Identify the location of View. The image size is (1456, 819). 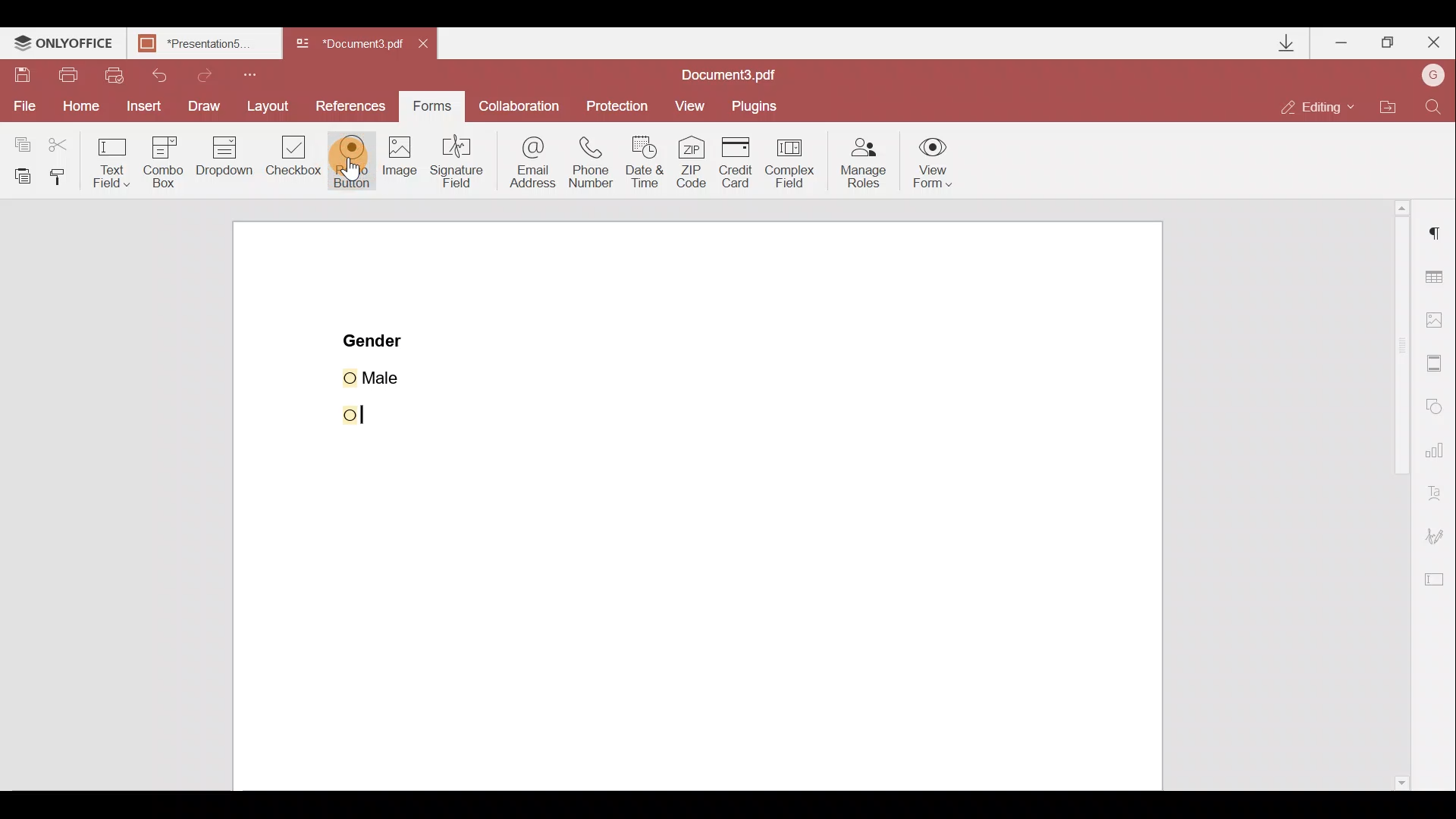
(697, 104).